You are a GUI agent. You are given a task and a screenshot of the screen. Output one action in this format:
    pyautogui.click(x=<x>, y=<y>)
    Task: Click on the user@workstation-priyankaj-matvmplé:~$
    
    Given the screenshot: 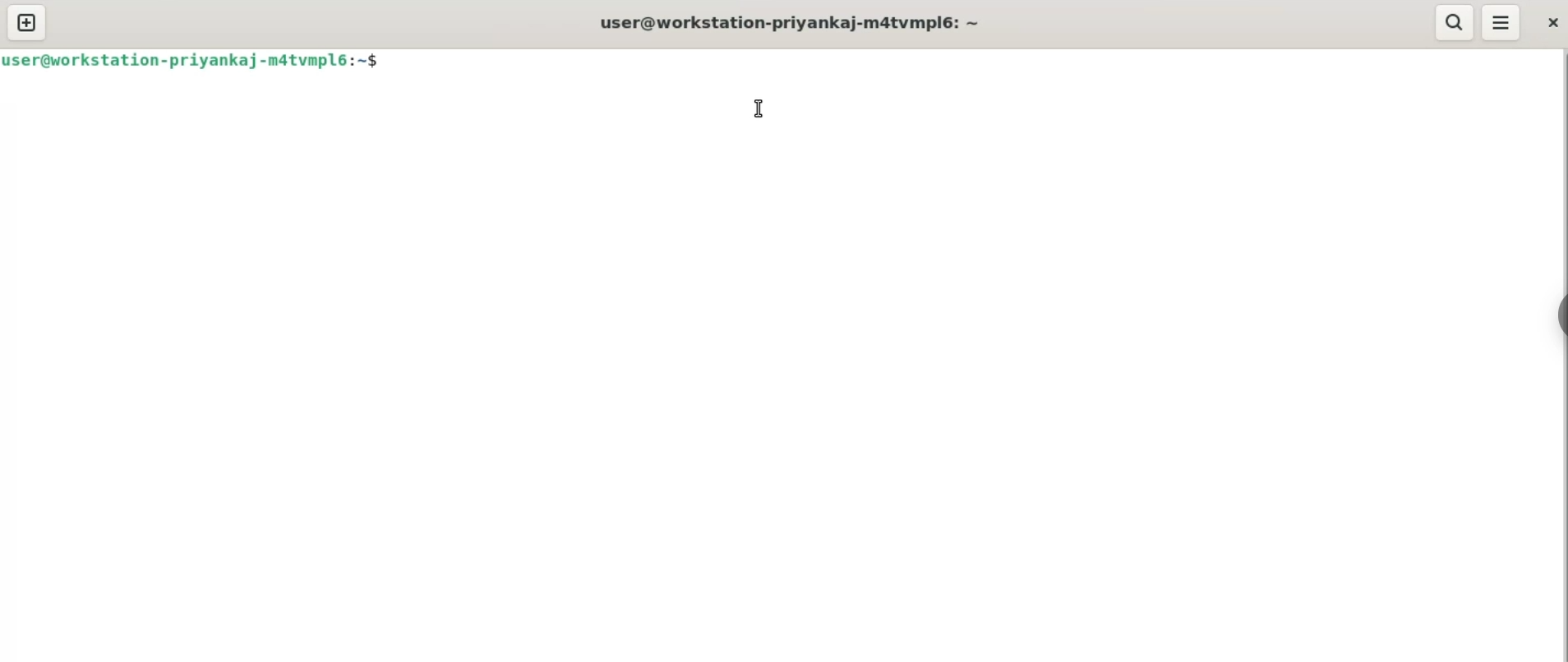 What is the action you would take?
    pyautogui.click(x=196, y=60)
    